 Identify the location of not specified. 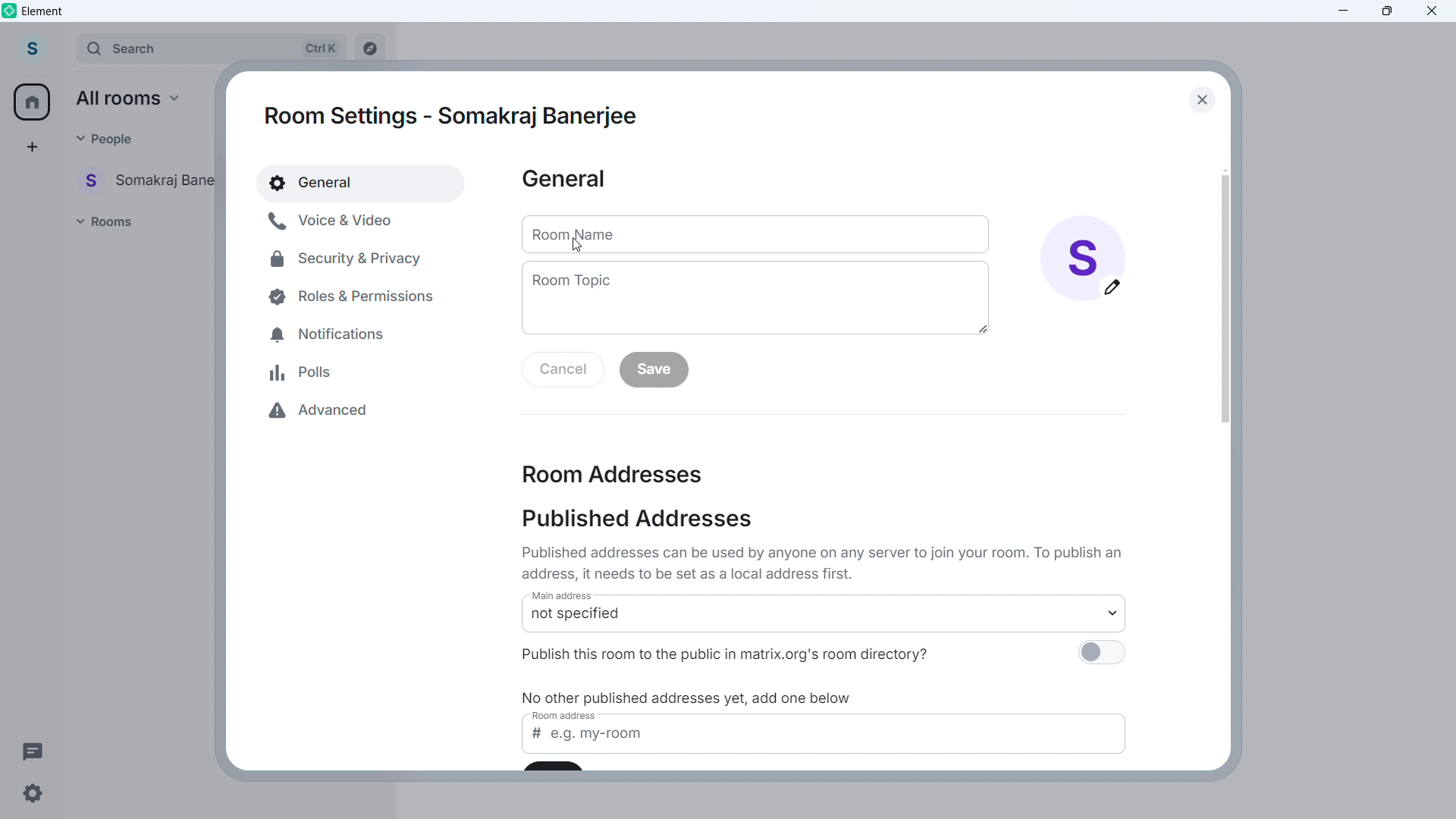
(827, 620).